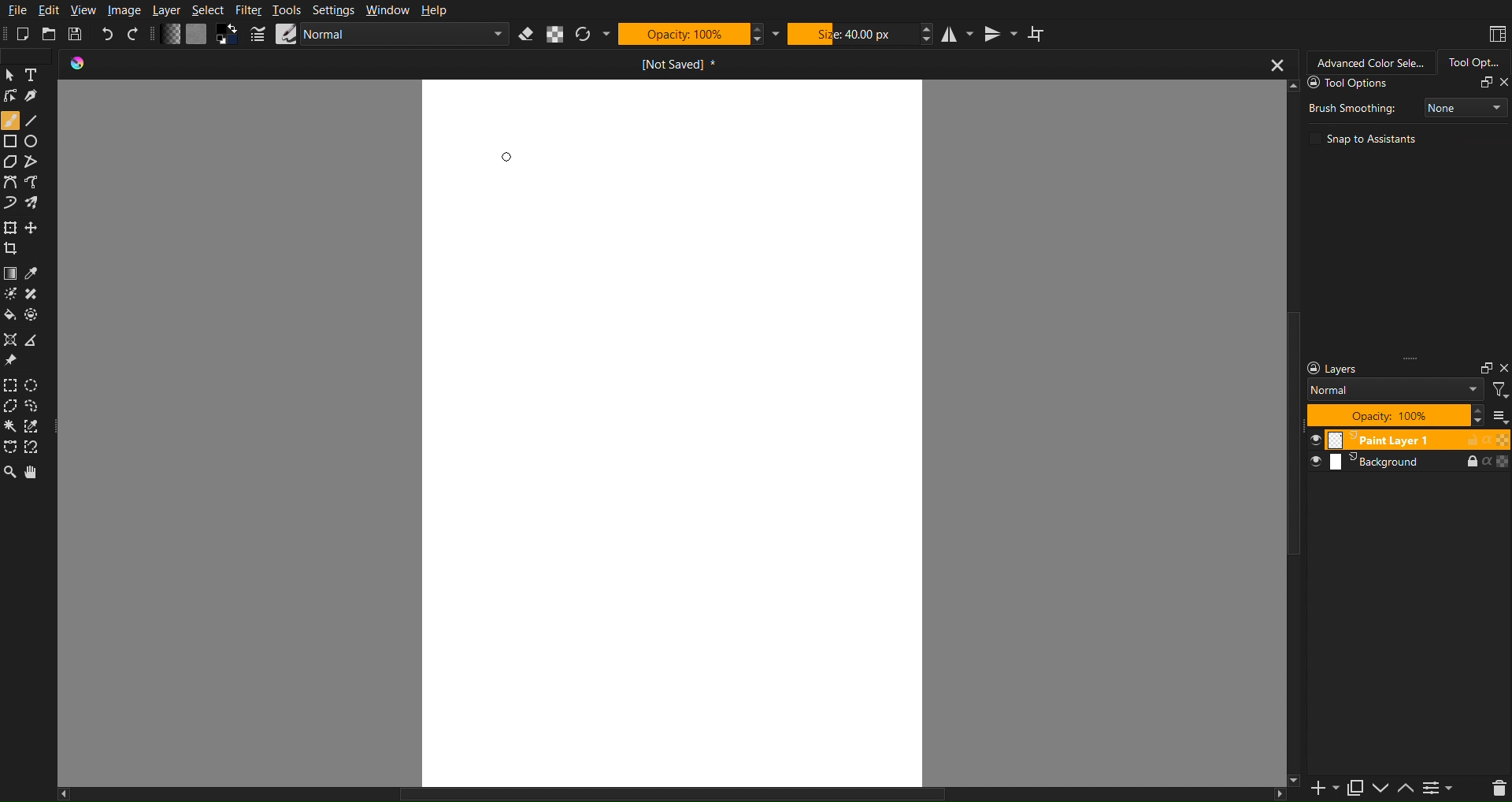 Image resolution: width=1512 pixels, height=802 pixels. Describe the element at coordinates (37, 162) in the screenshot. I see `Straight Line` at that location.